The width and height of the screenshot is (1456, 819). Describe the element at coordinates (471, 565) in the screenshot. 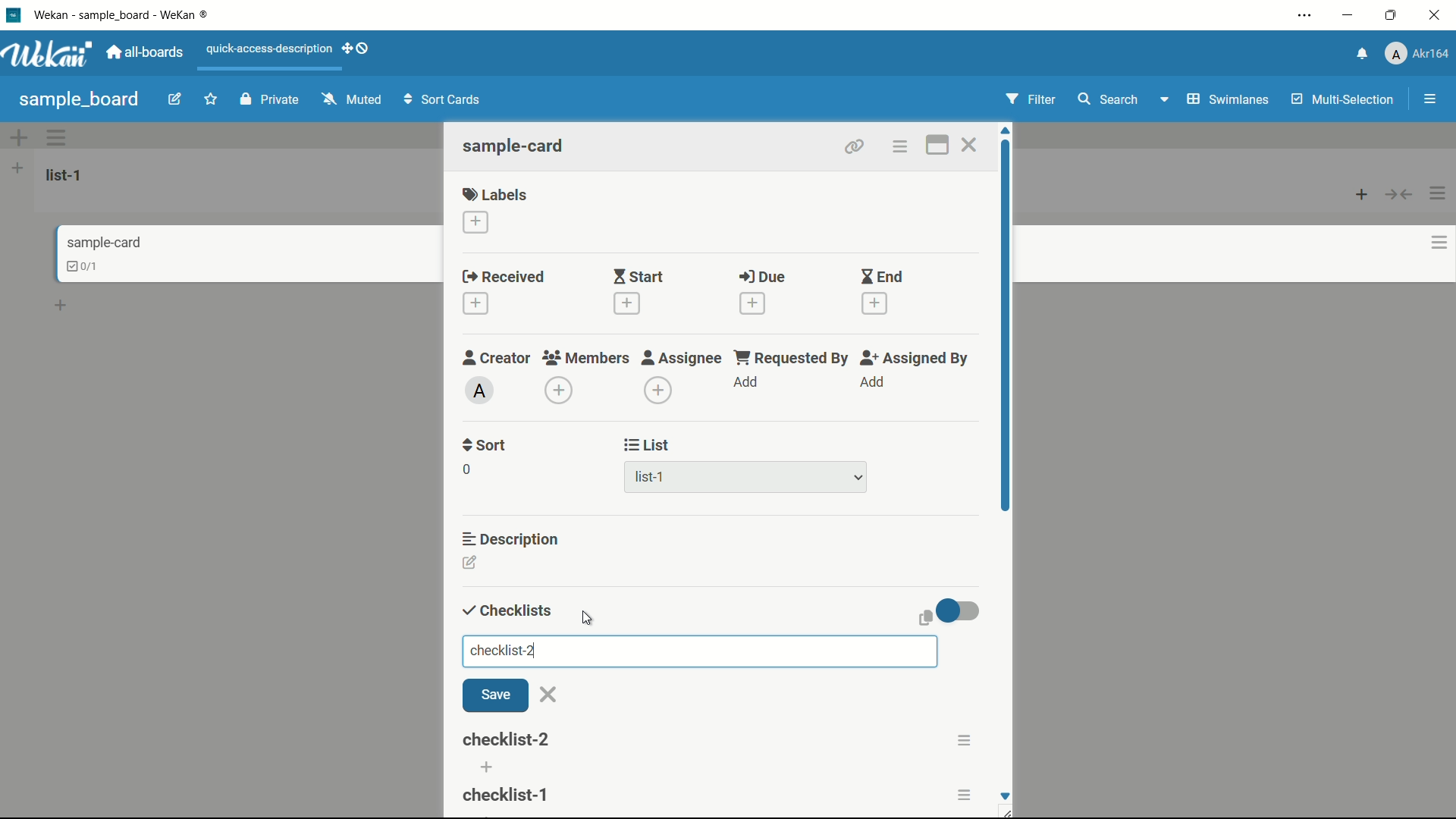

I see `add description` at that location.